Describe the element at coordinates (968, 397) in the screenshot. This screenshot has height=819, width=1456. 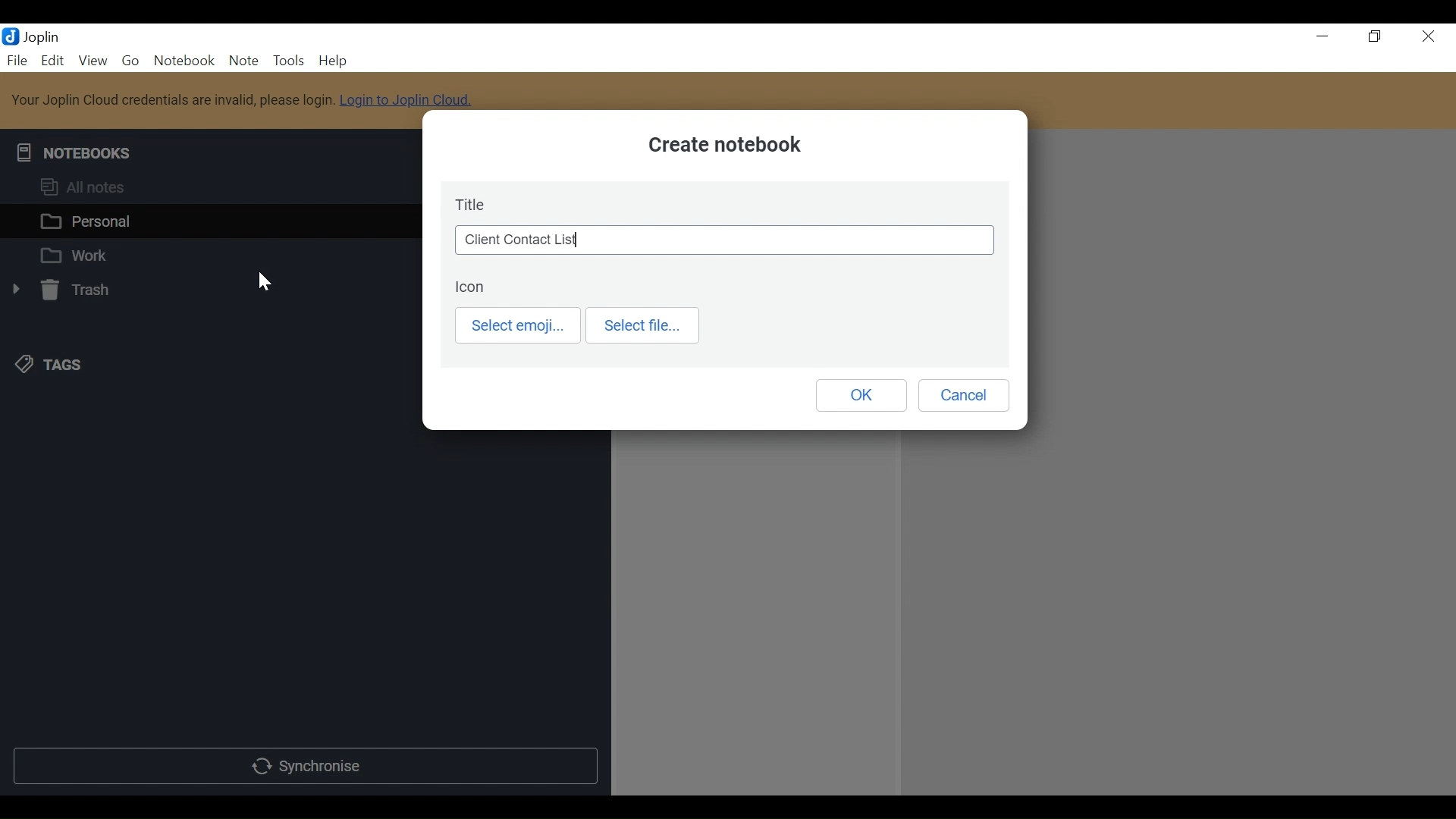
I see `Cancel` at that location.